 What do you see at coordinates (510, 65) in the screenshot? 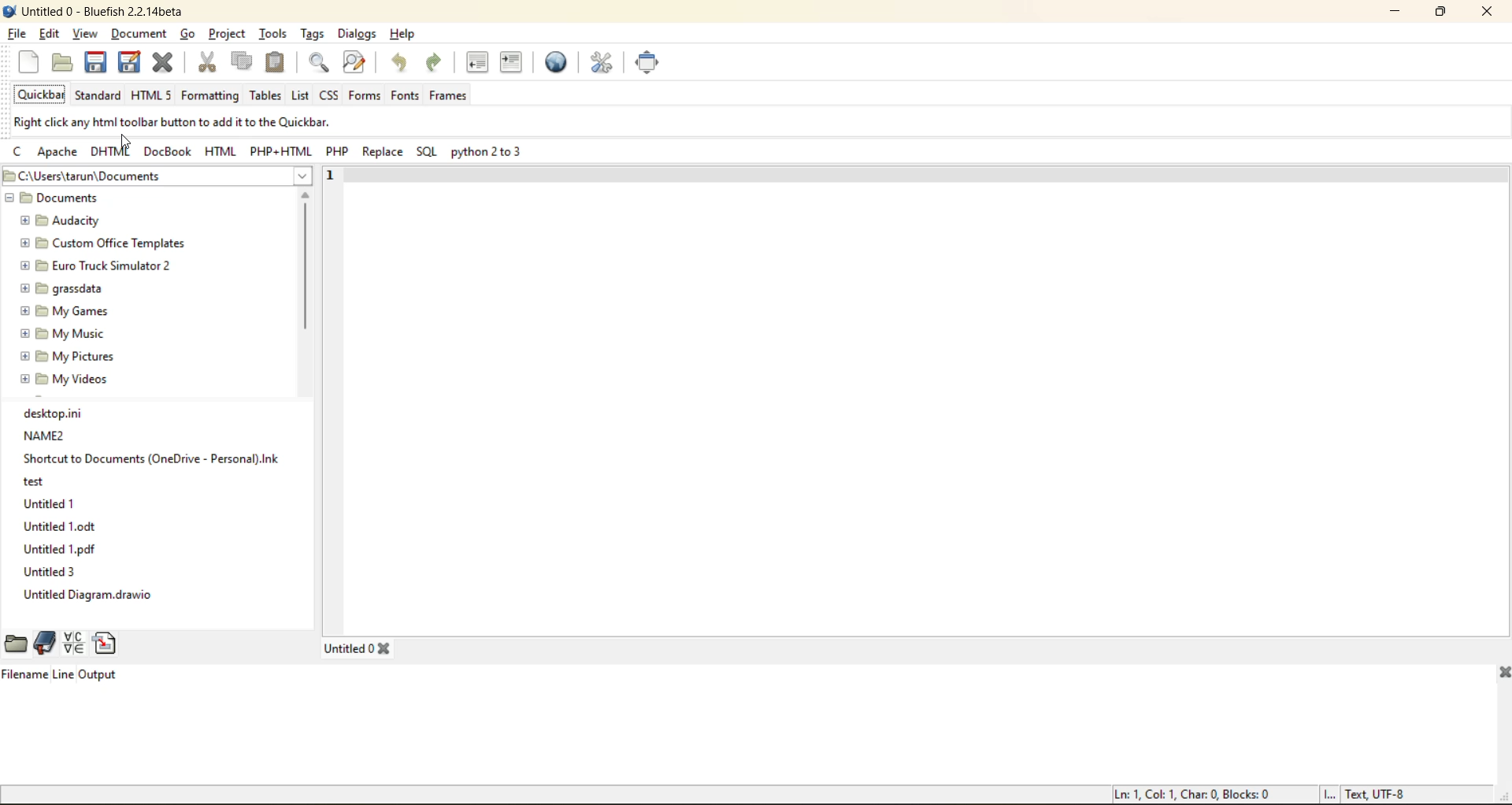
I see `indent` at bounding box center [510, 65].